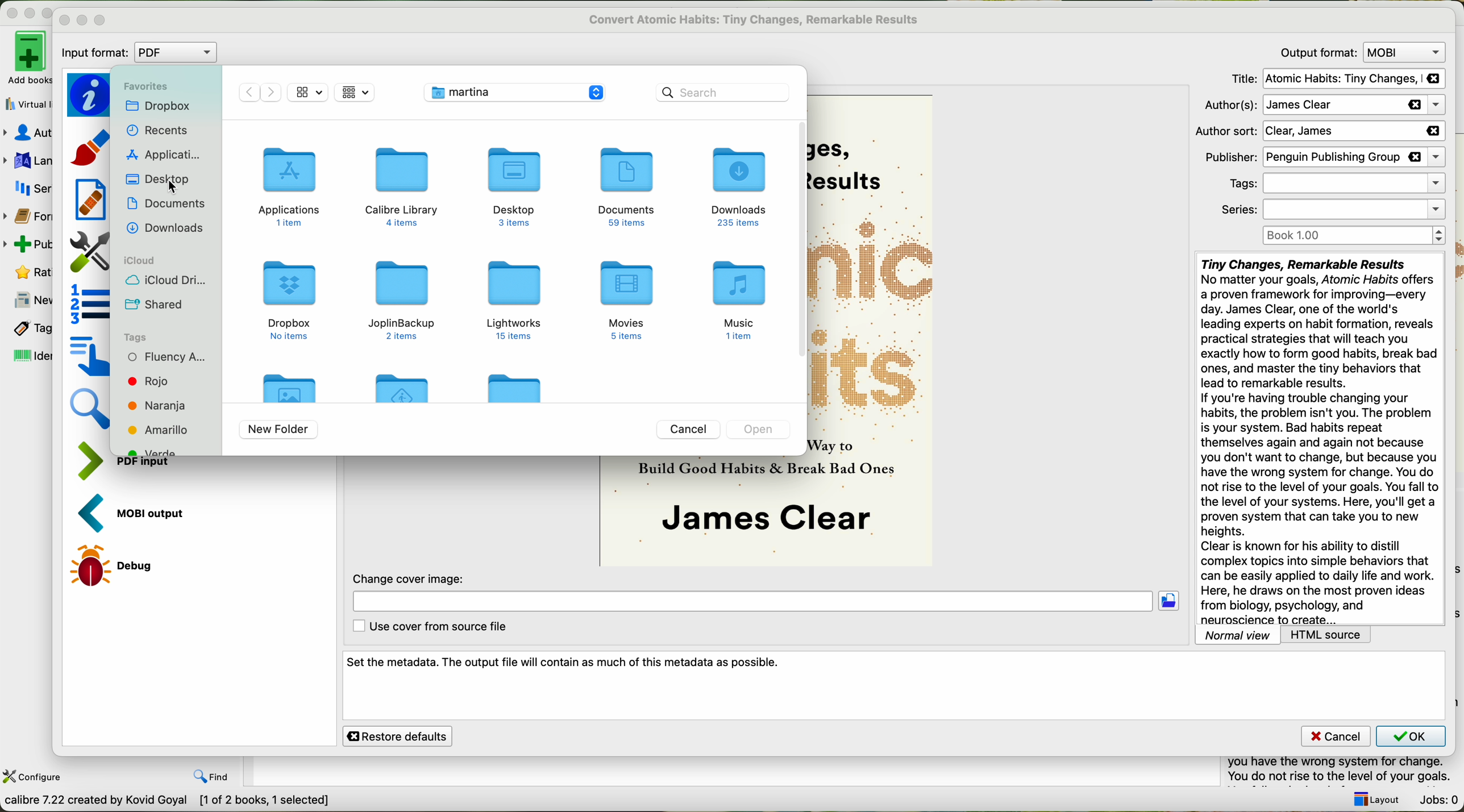 The height and width of the screenshot is (812, 1464). I want to click on disable buttons, so click(28, 11).